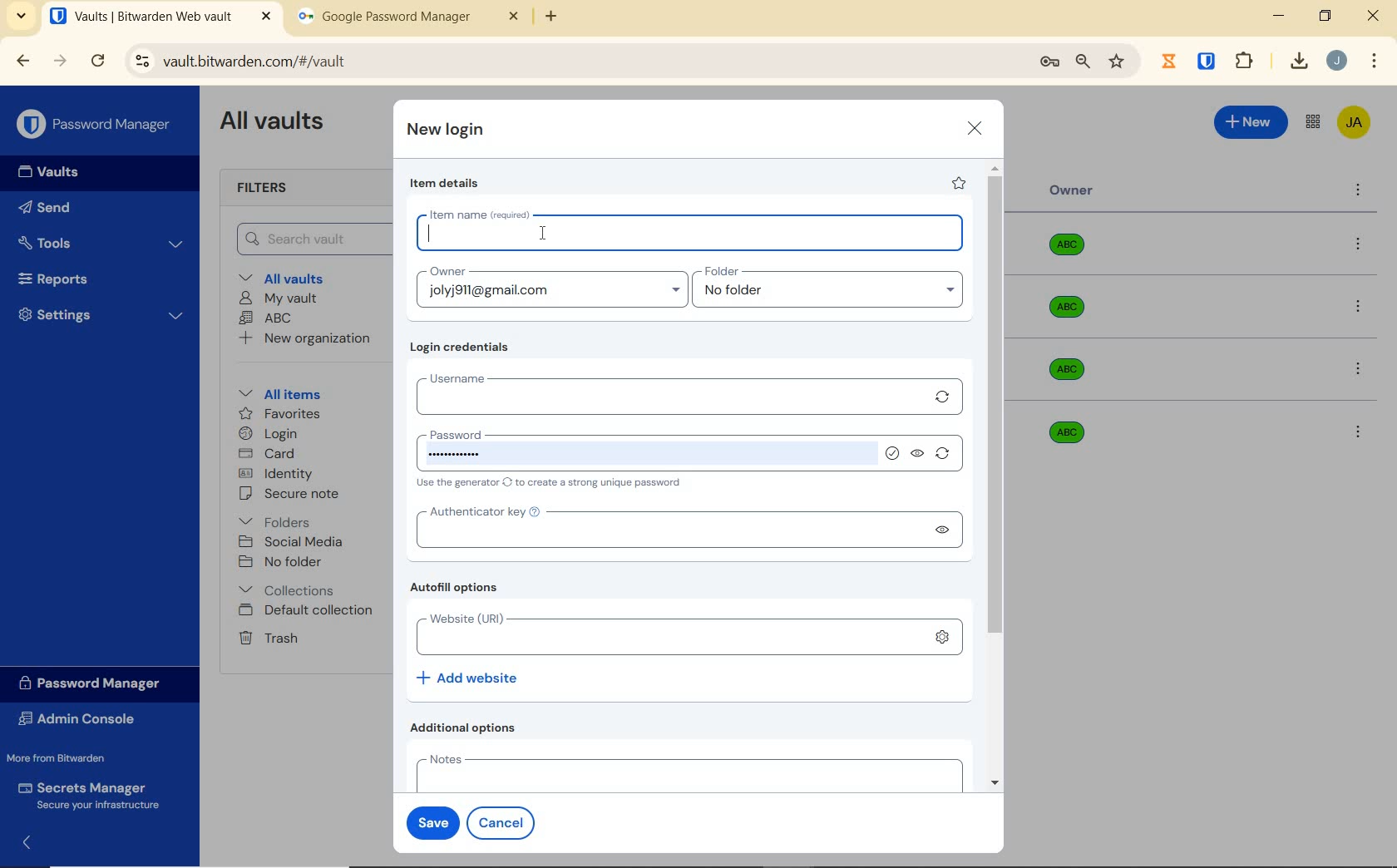 This screenshot has width=1397, height=868. I want to click on restore, so click(1324, 16).